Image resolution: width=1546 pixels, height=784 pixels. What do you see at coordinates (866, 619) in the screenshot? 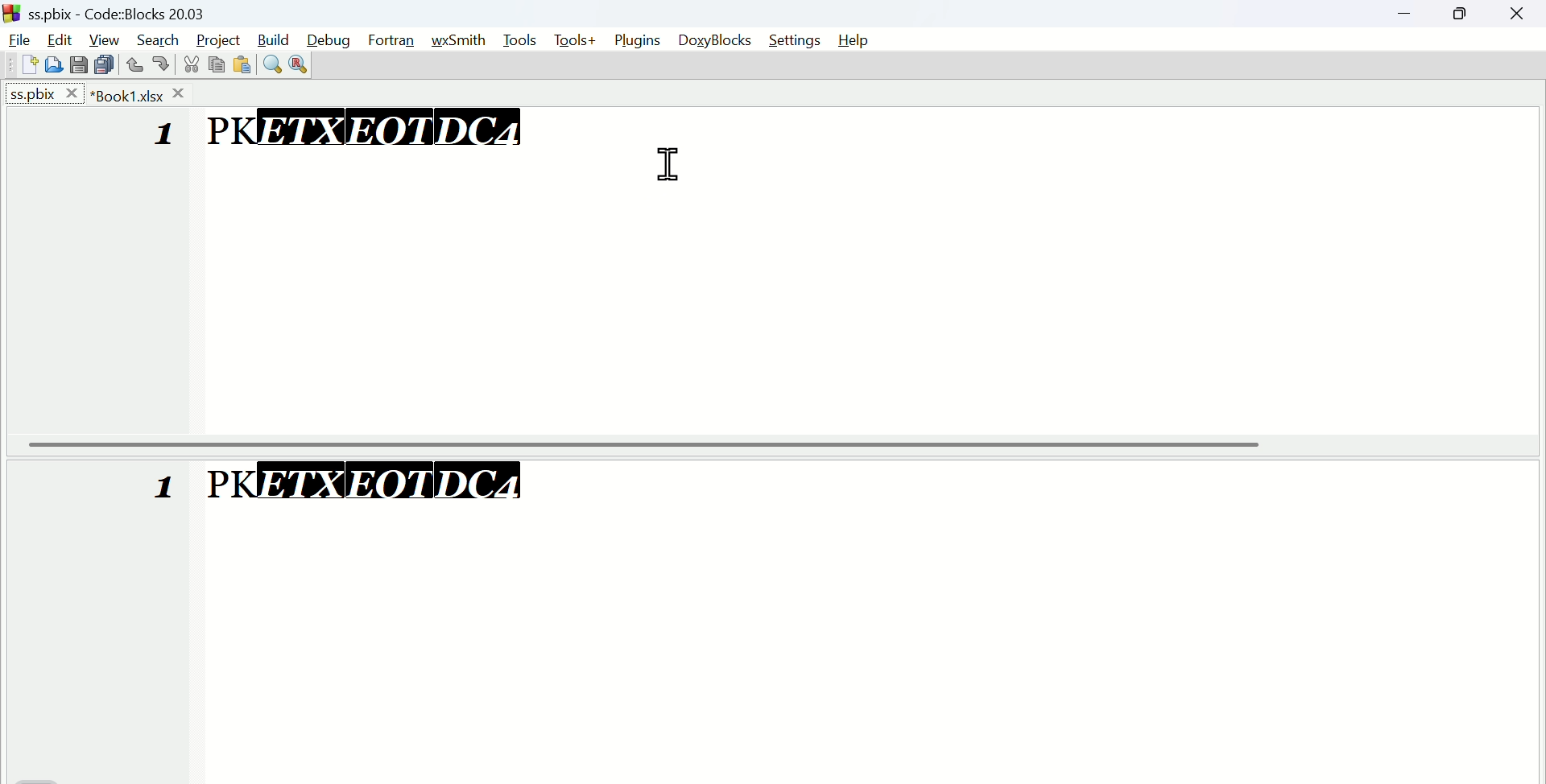
I see `editor` at bounding box center [866, 619].